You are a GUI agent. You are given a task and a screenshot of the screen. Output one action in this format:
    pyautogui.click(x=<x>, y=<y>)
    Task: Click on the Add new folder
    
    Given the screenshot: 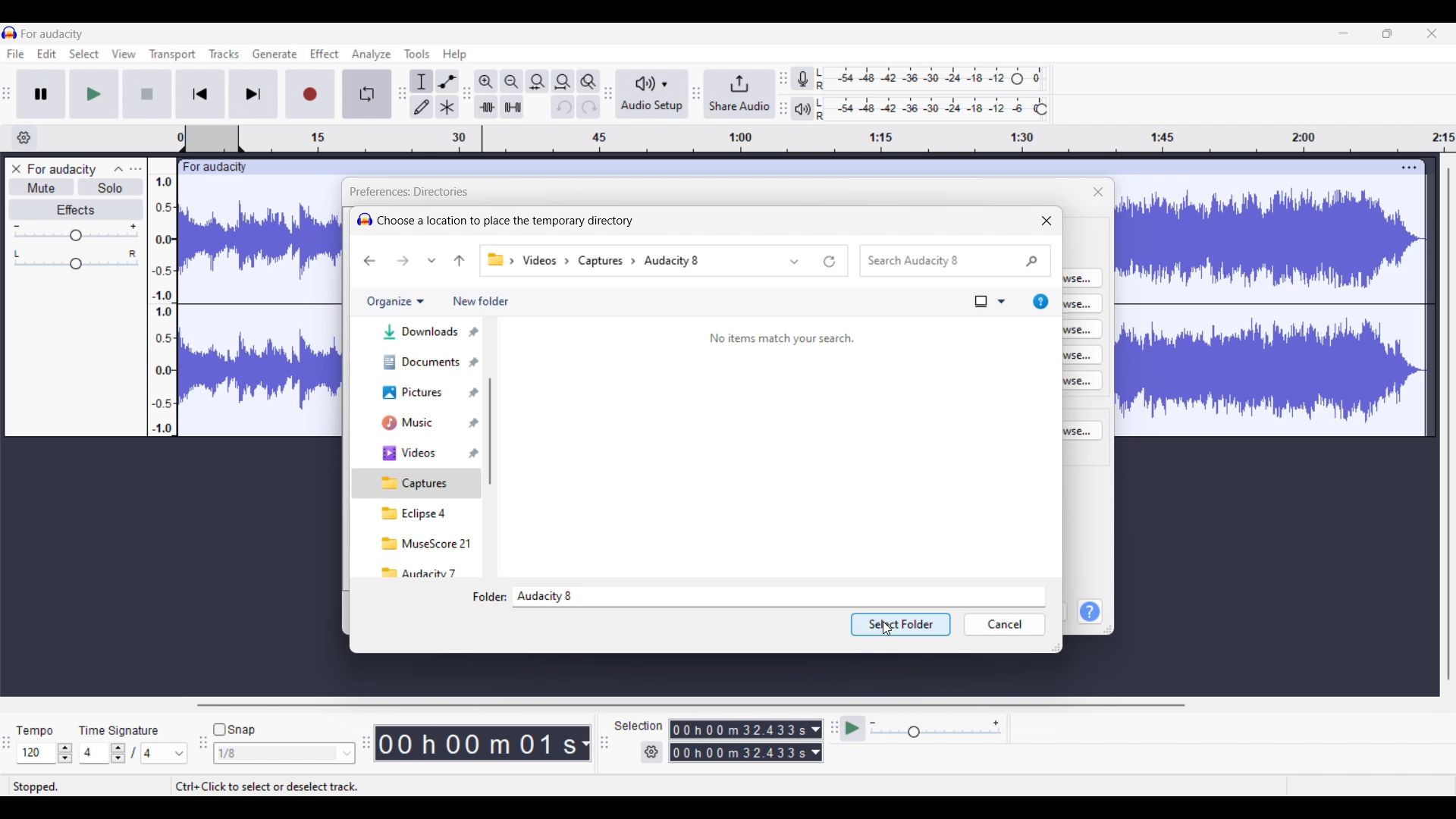 What is the action you would take?
    pyautogui.click(x=481, y=301)
    